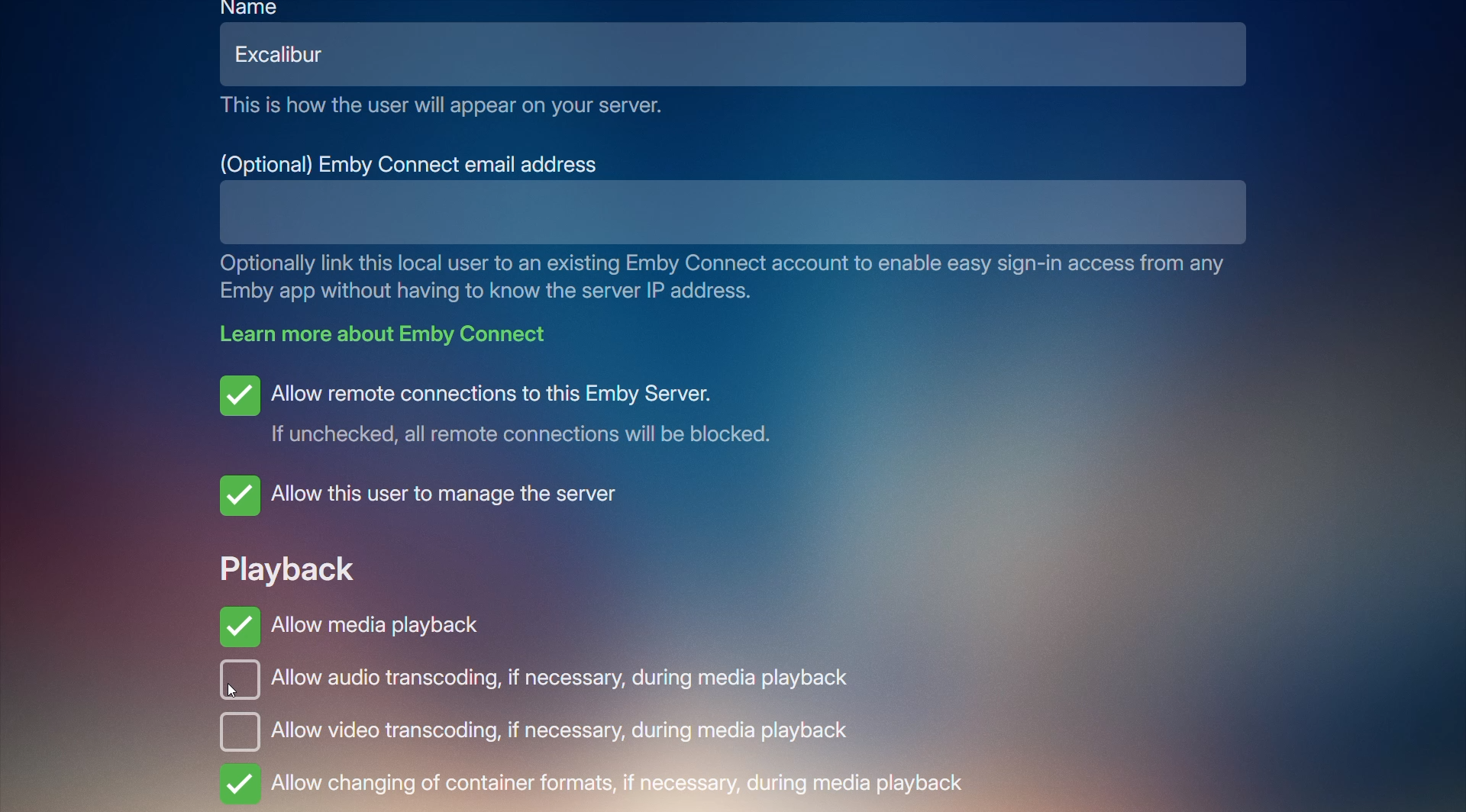 This screenshot has height=812, width=1466. What do you see at coordinates (412, 163) in the screenshot?
I see `(Optional) Emby Connect email address` at bounding box center [412, 163].